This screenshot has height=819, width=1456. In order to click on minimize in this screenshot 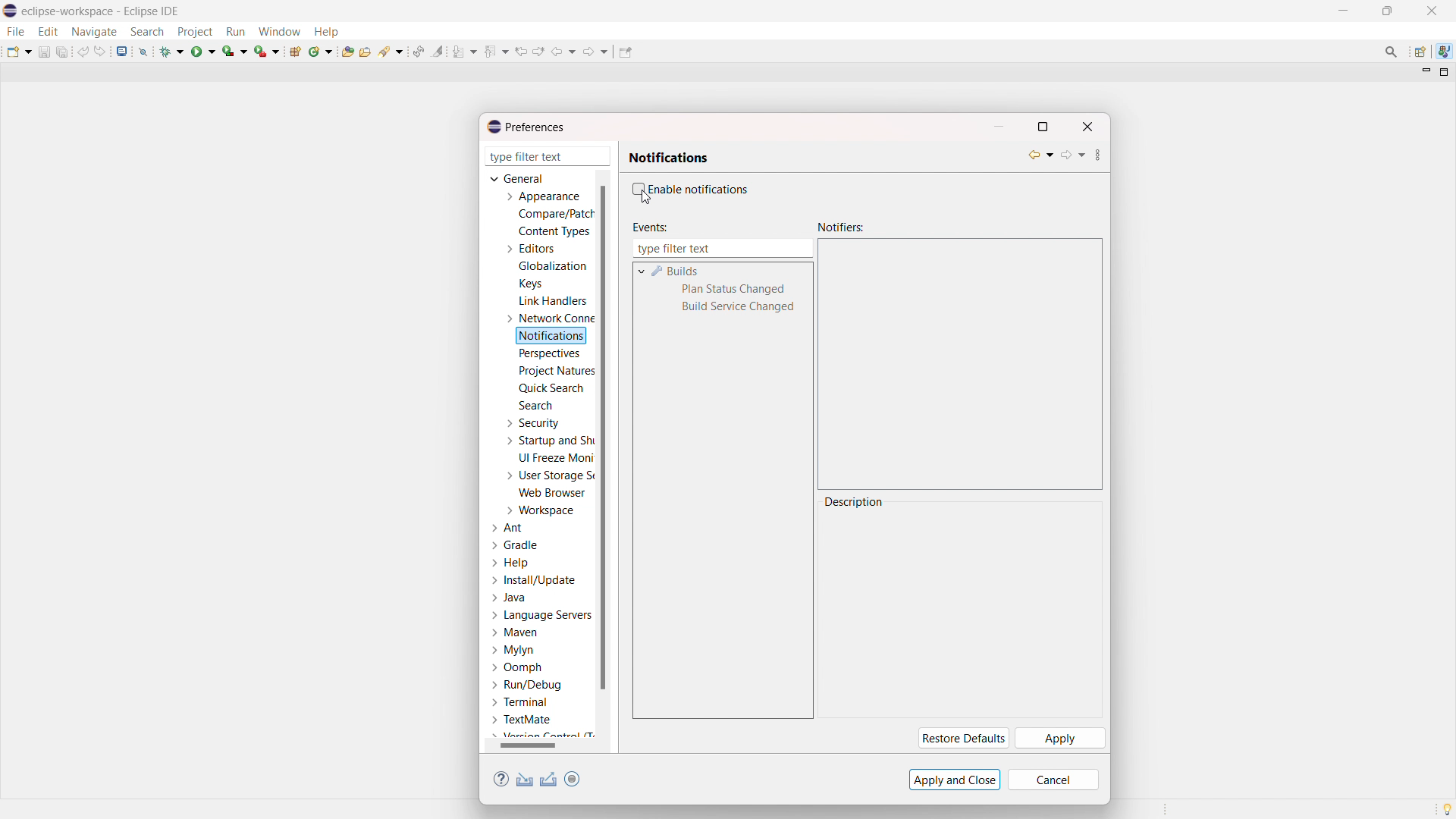, I will do `click(1347, 11)`.